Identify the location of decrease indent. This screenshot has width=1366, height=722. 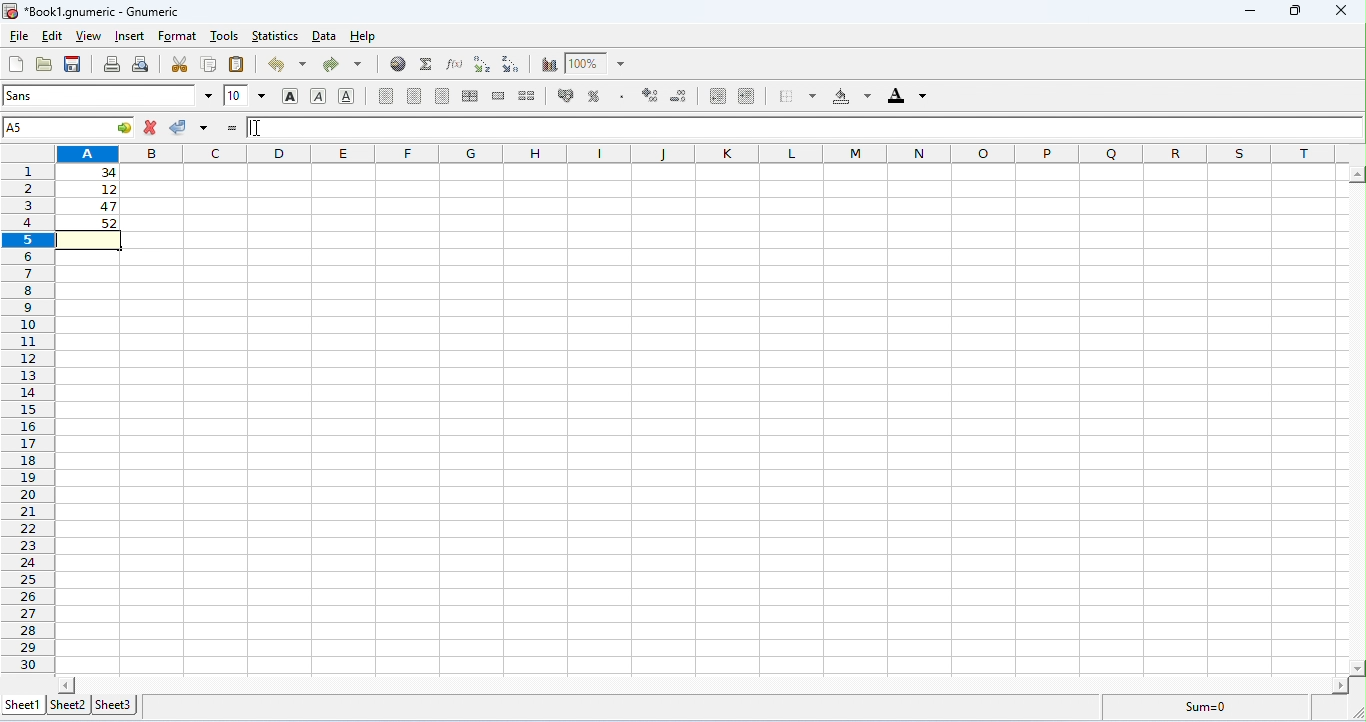
(719, 96).